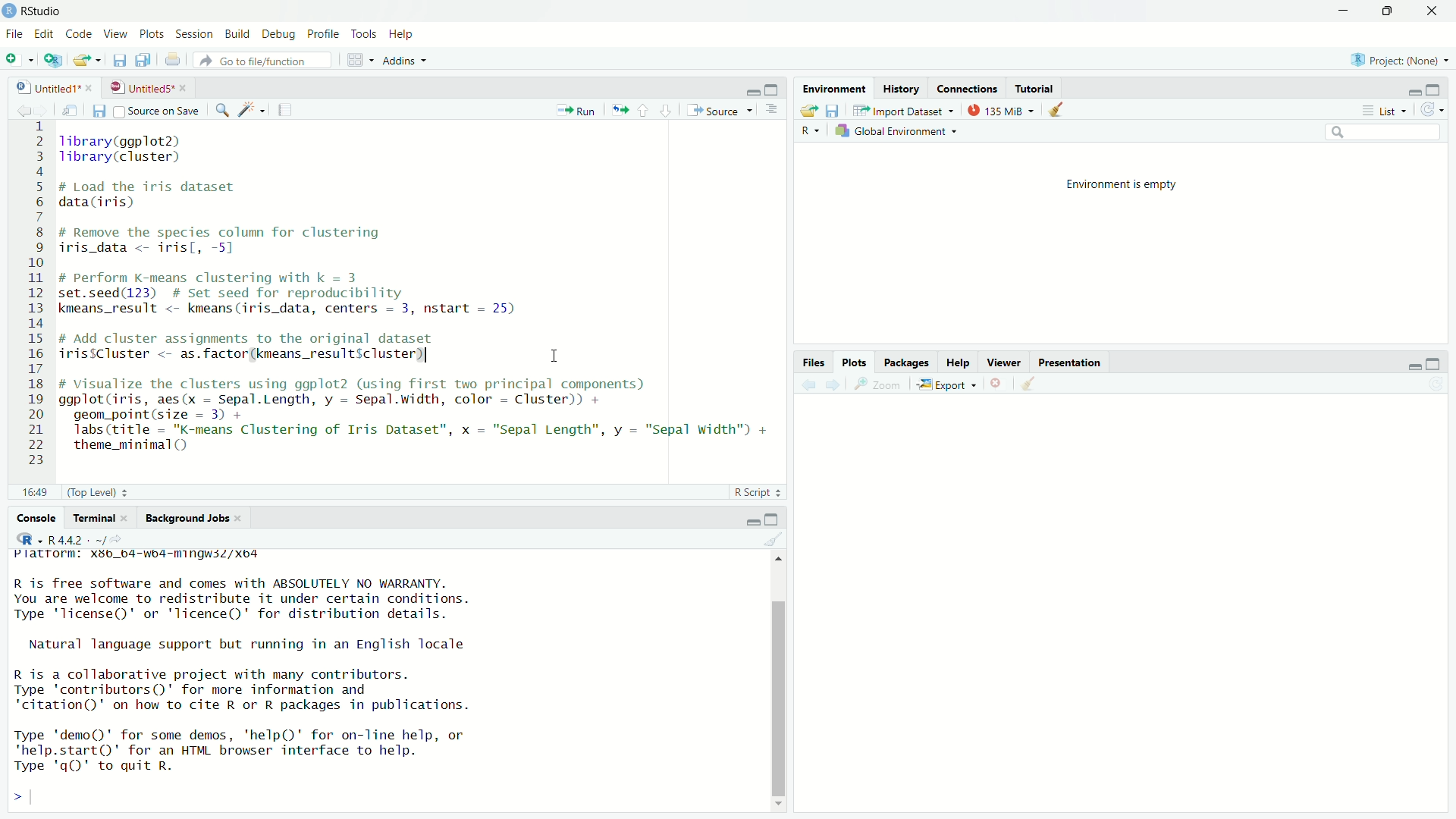 The height and width of the screenshot is (819, 1456). Describe the element at coordinates (967, 88) in the screenshot. I see `Connections` at that location.